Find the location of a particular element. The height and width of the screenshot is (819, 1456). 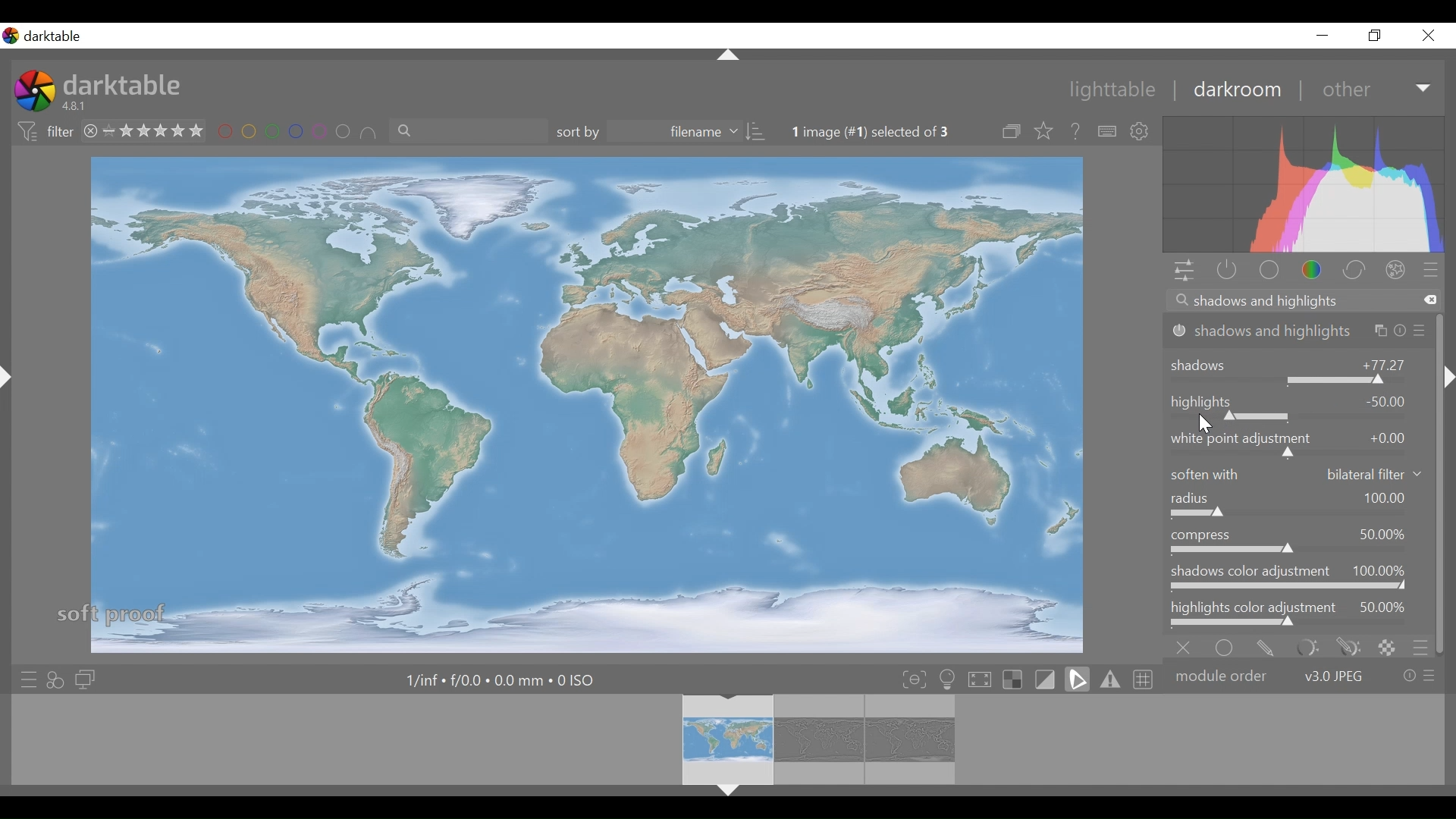

radius is located at coordinates (1299, 506).